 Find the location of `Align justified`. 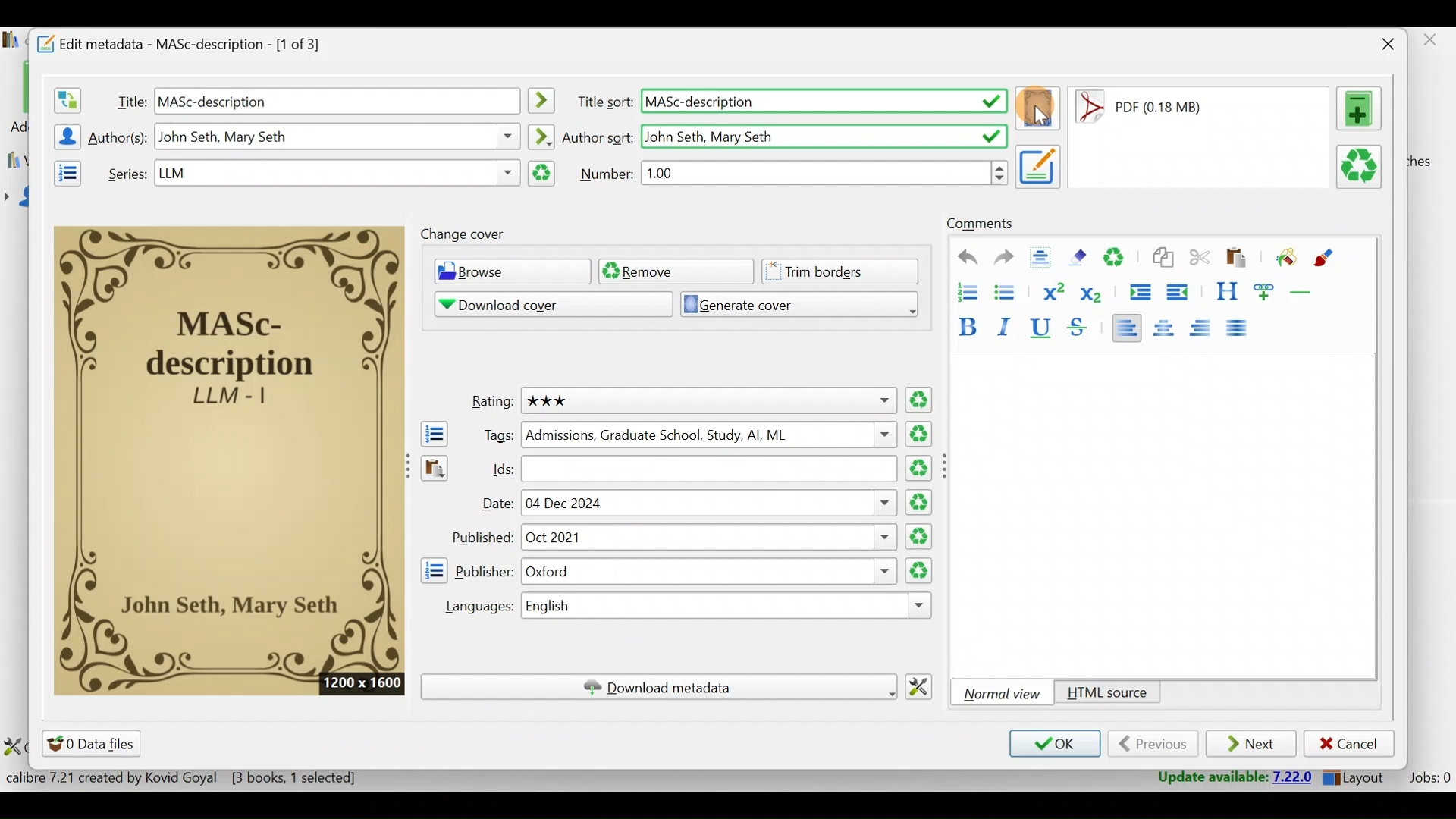

Align justified is located at coordinates (1241, 329).